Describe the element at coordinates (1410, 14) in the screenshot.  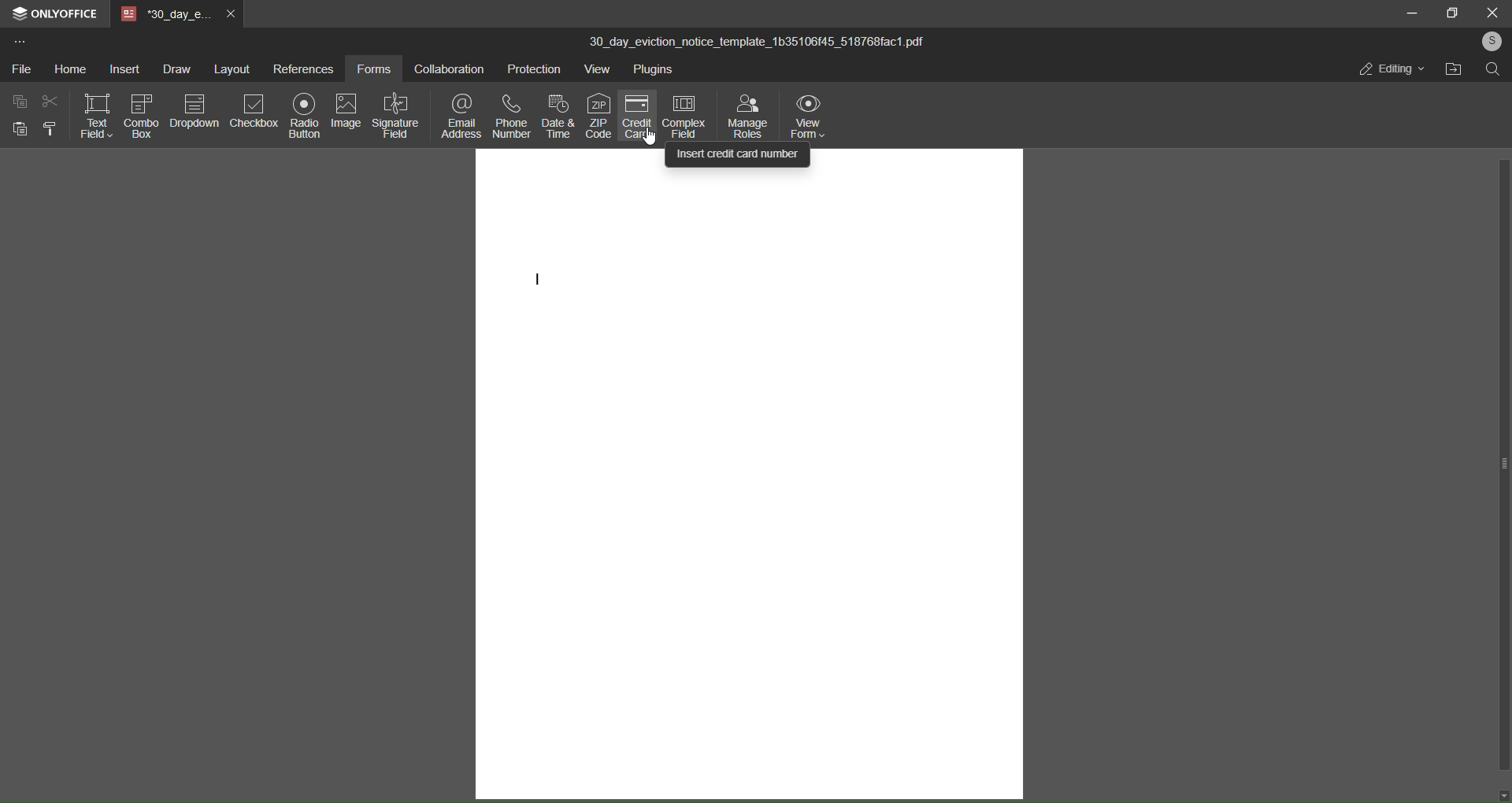
I see `minimize` at that location.